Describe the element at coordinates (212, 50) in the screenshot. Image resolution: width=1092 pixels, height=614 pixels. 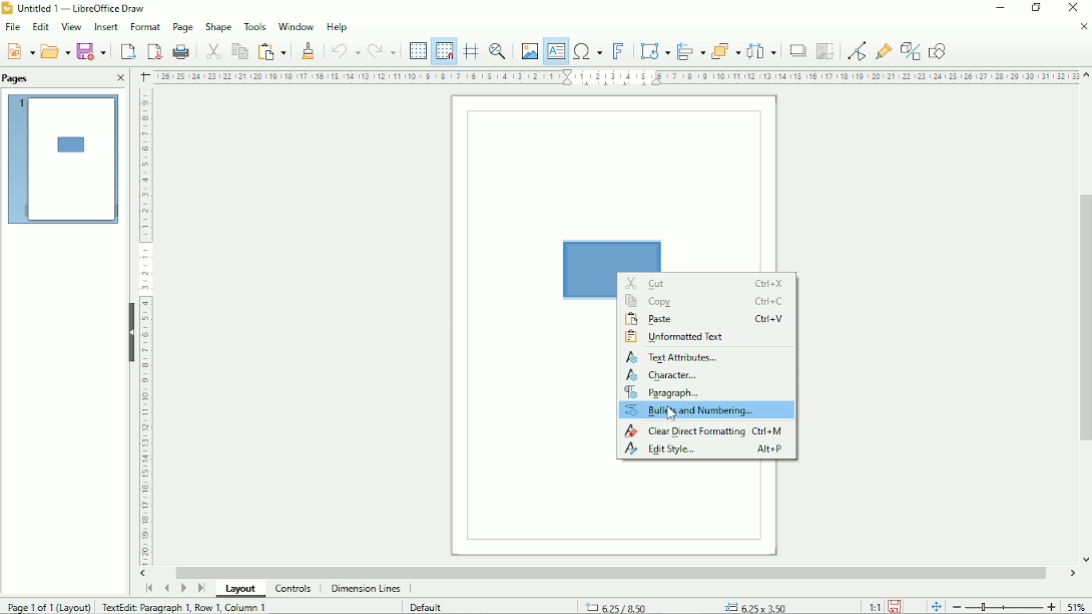
I see `Cut` at that location.